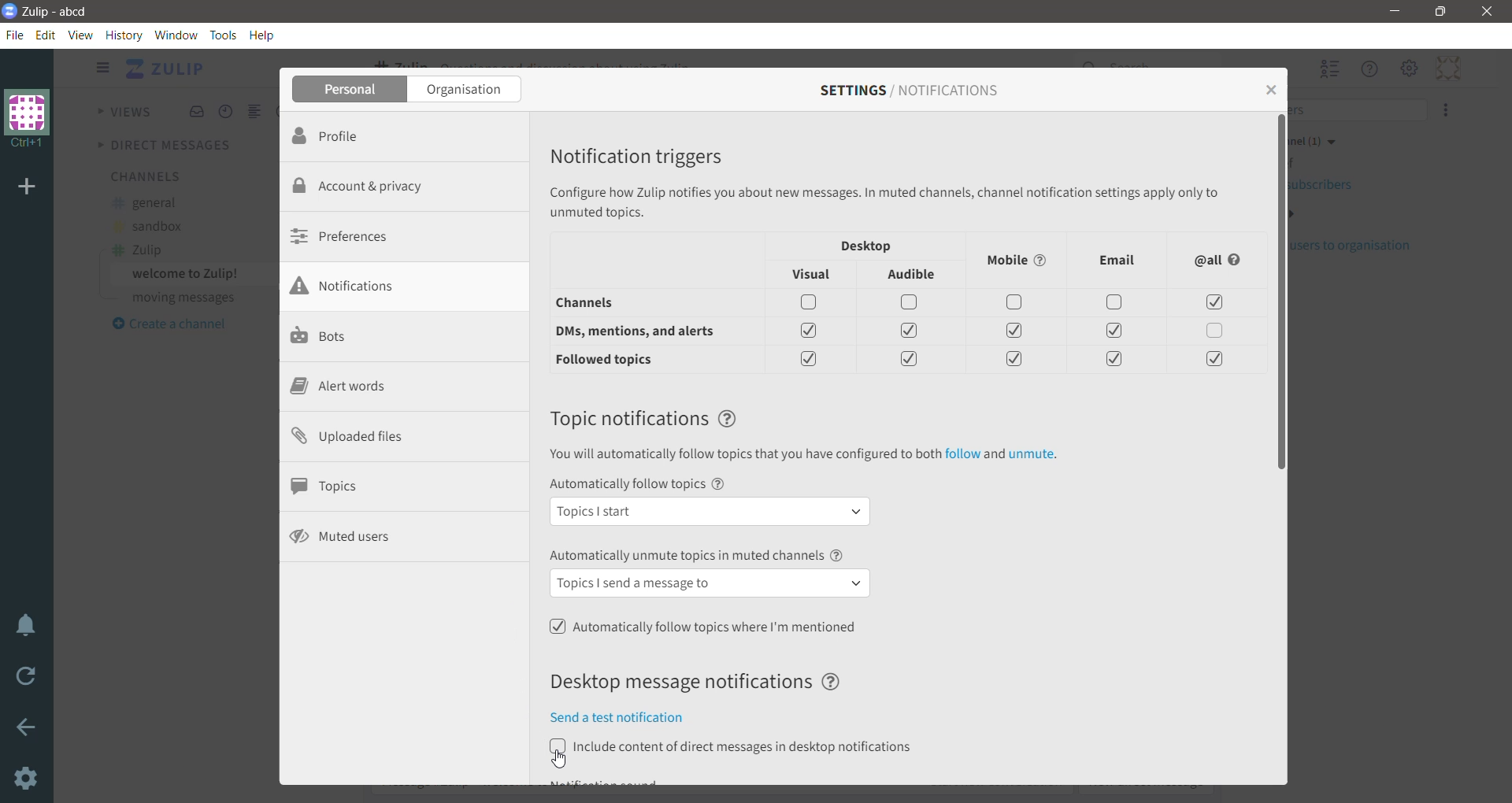 This screenshot has height=803, width=1512. I want to click on Personal, so click(350, 90).